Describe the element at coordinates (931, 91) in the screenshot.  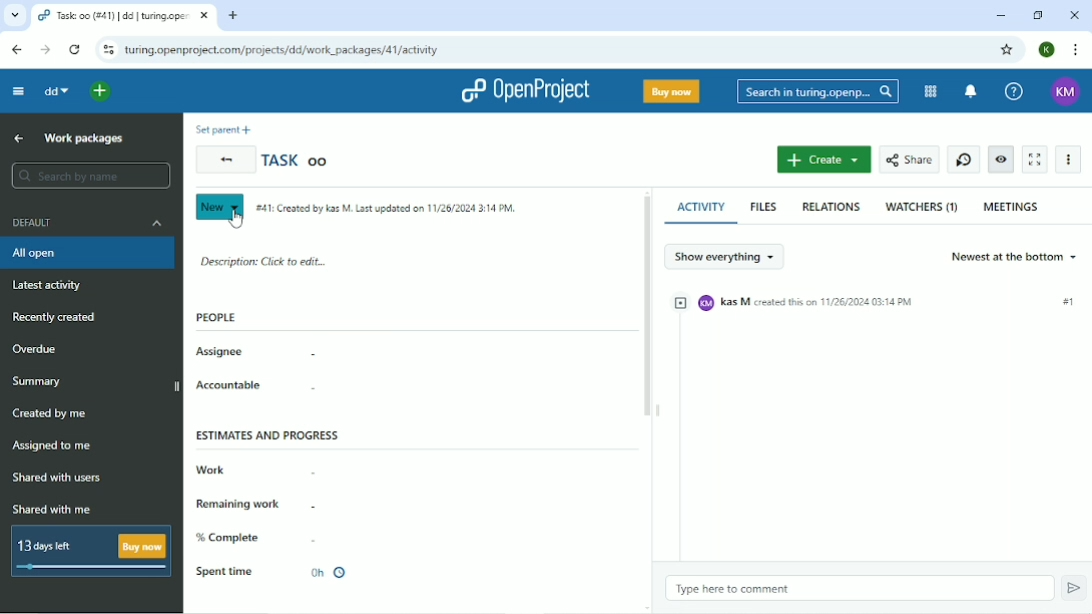
I see `Modules` at that location.